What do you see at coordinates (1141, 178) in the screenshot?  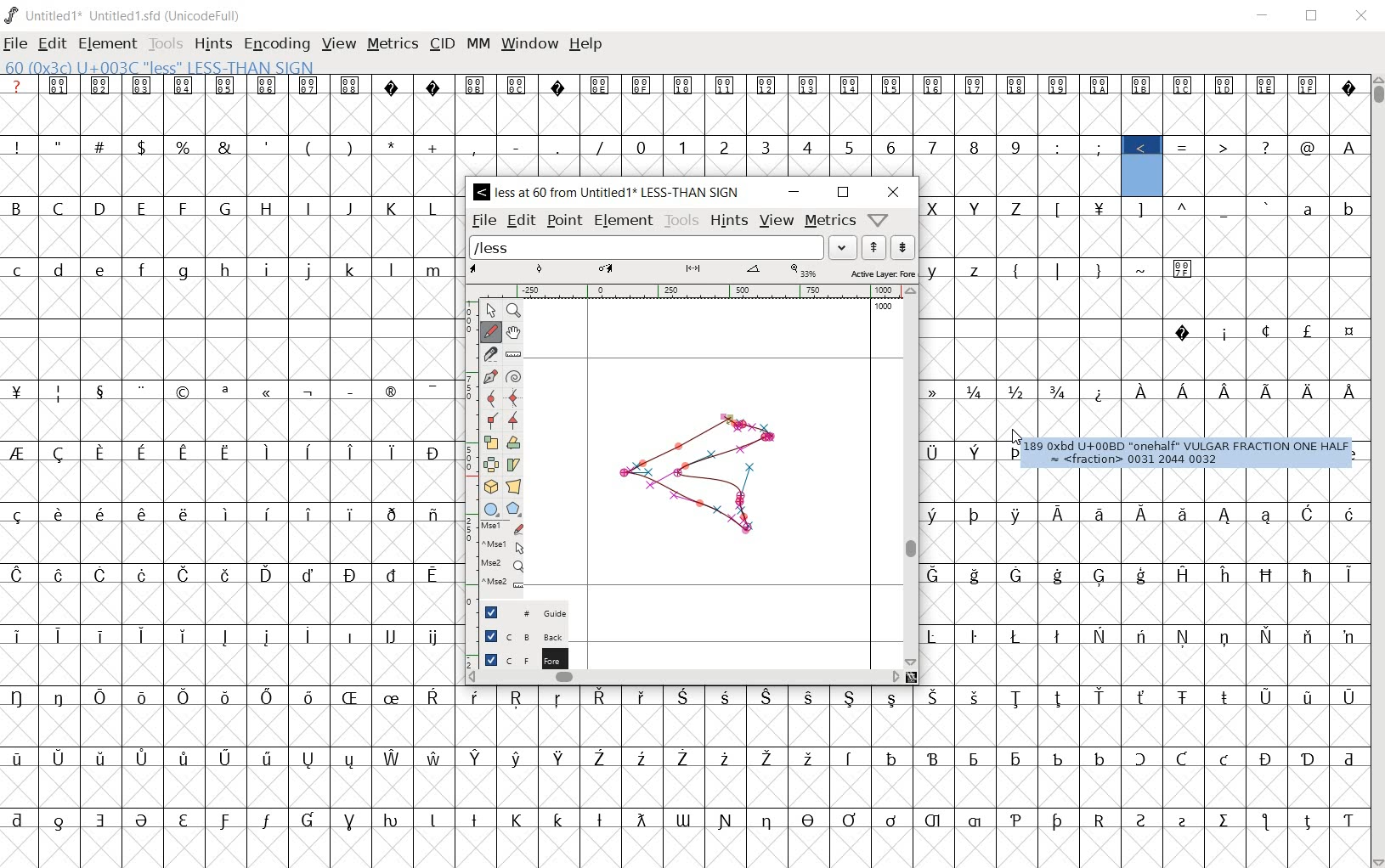 I see `selected cell` at bounding box center [1141, 178].